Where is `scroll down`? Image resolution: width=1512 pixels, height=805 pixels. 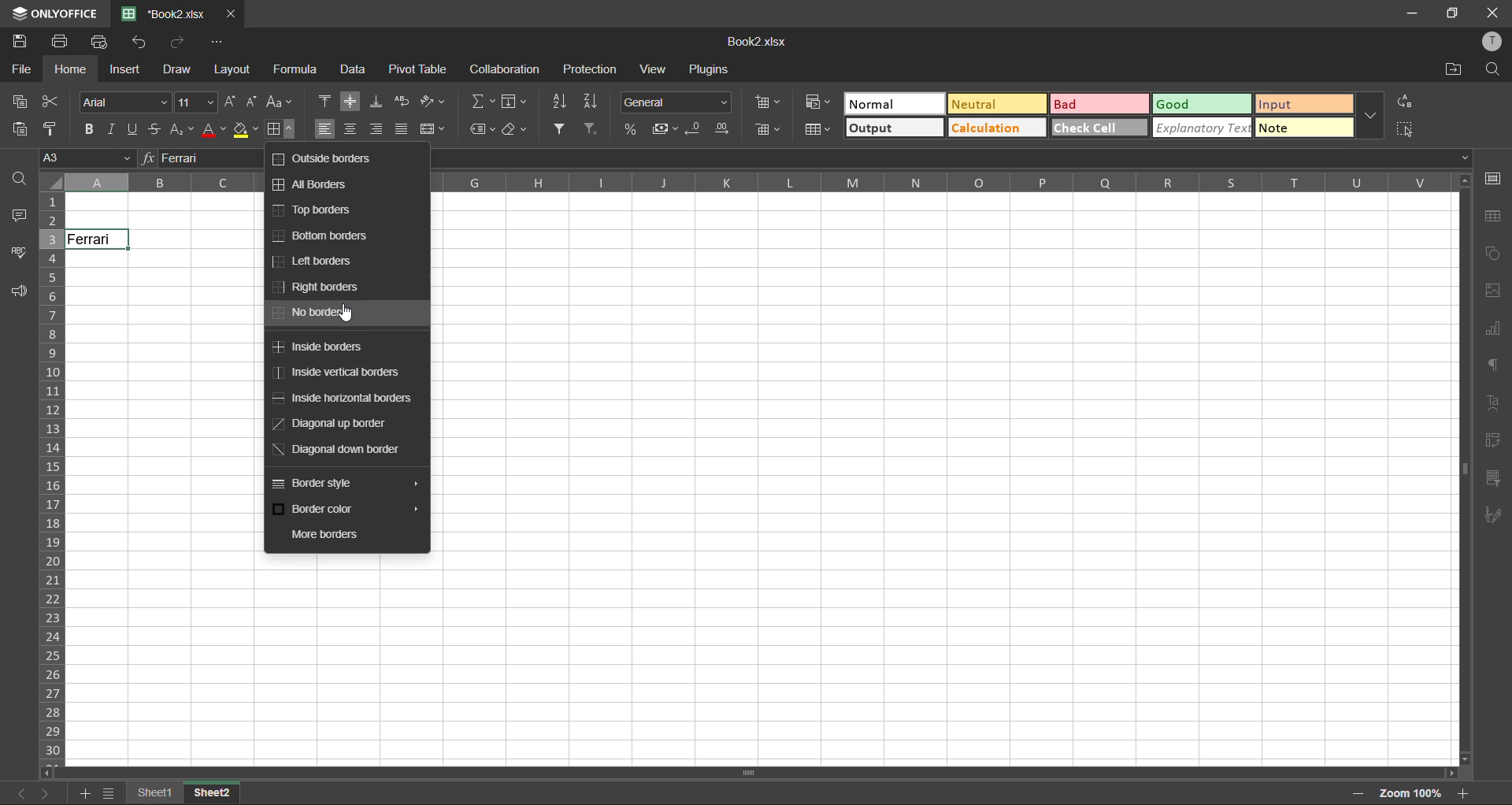 scroll down is located at coordinates (1466, 759).